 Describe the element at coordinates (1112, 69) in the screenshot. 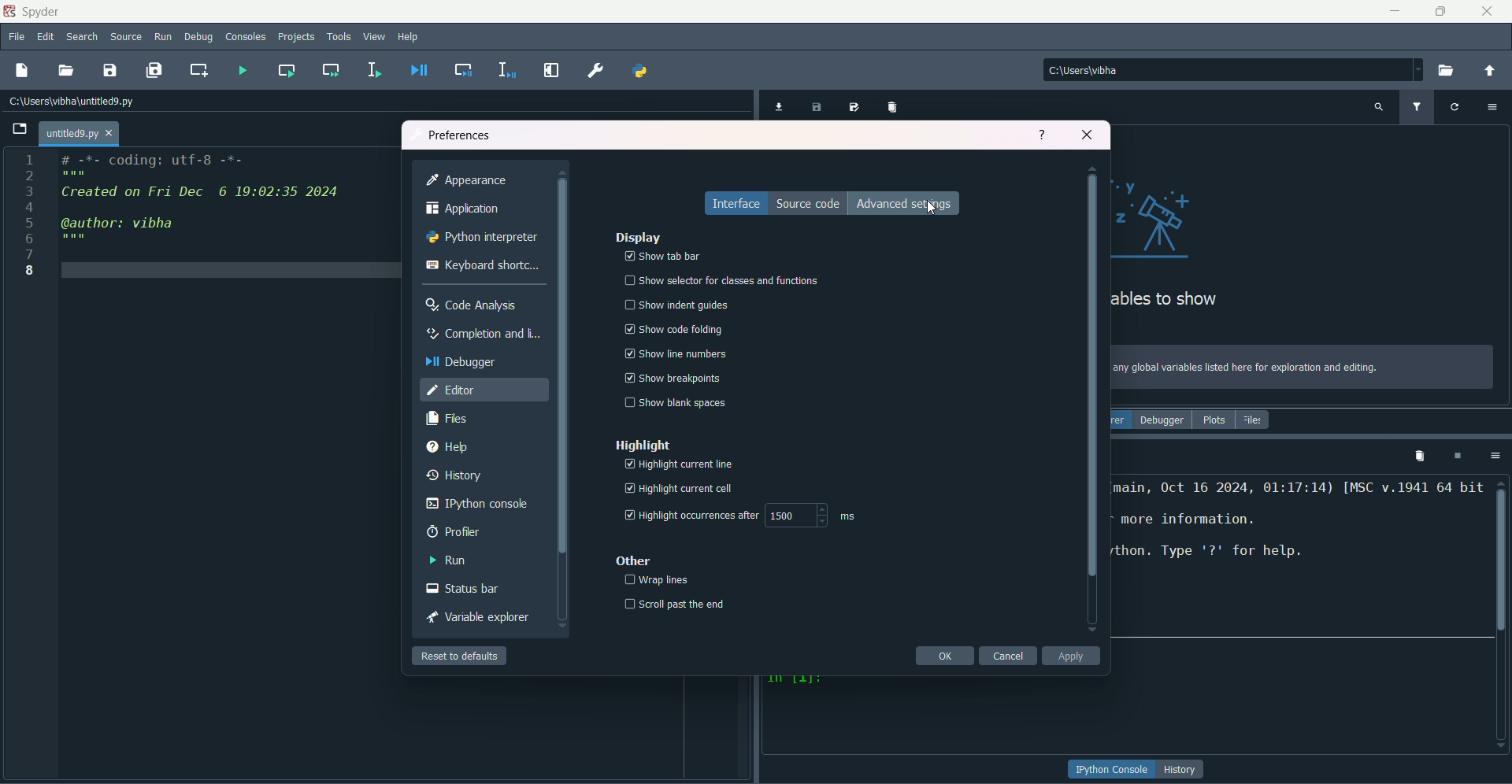

I see `file path` at that location.